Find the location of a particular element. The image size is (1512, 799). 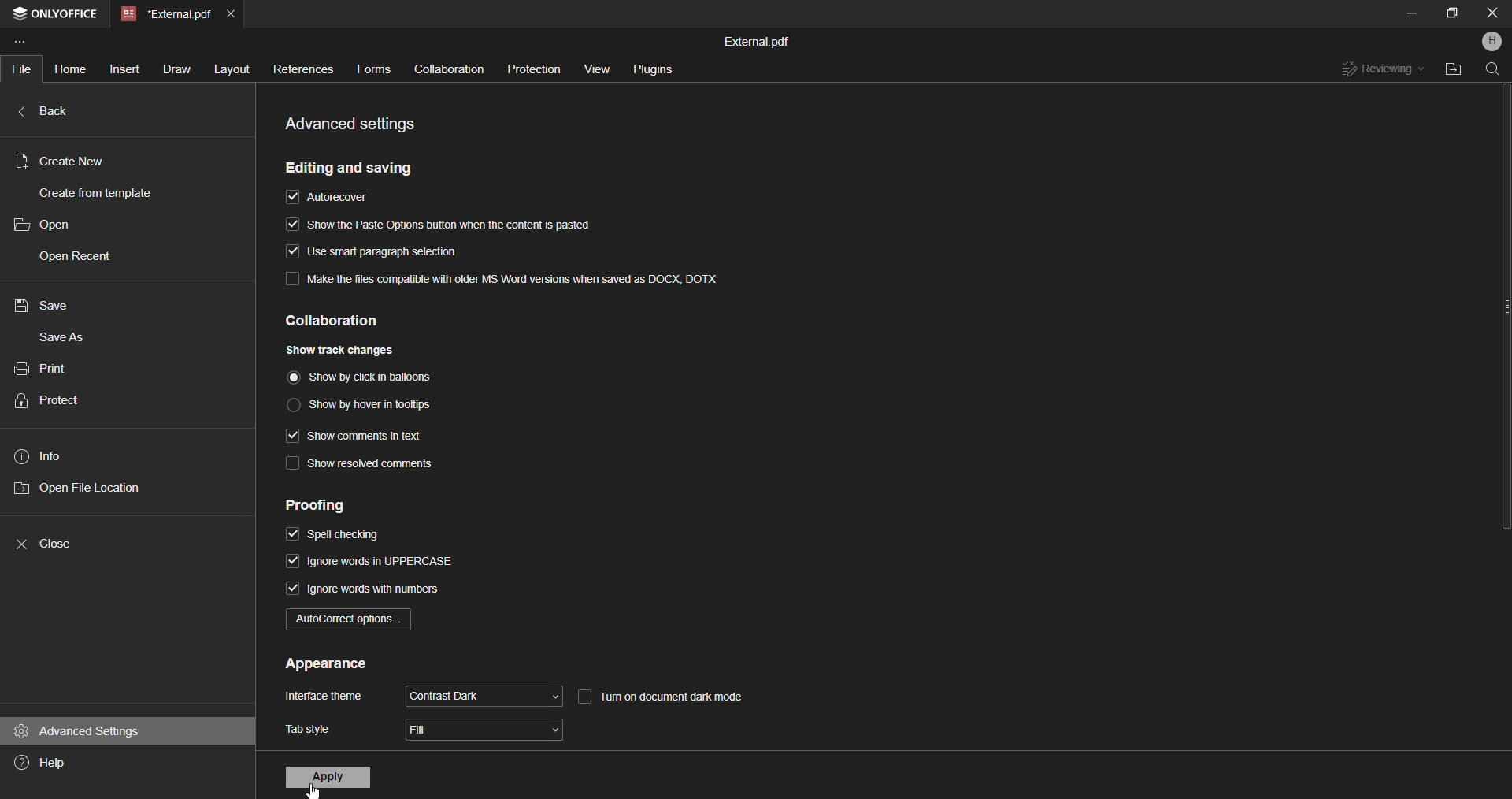

Plugins is located at coordinates (651, 67).